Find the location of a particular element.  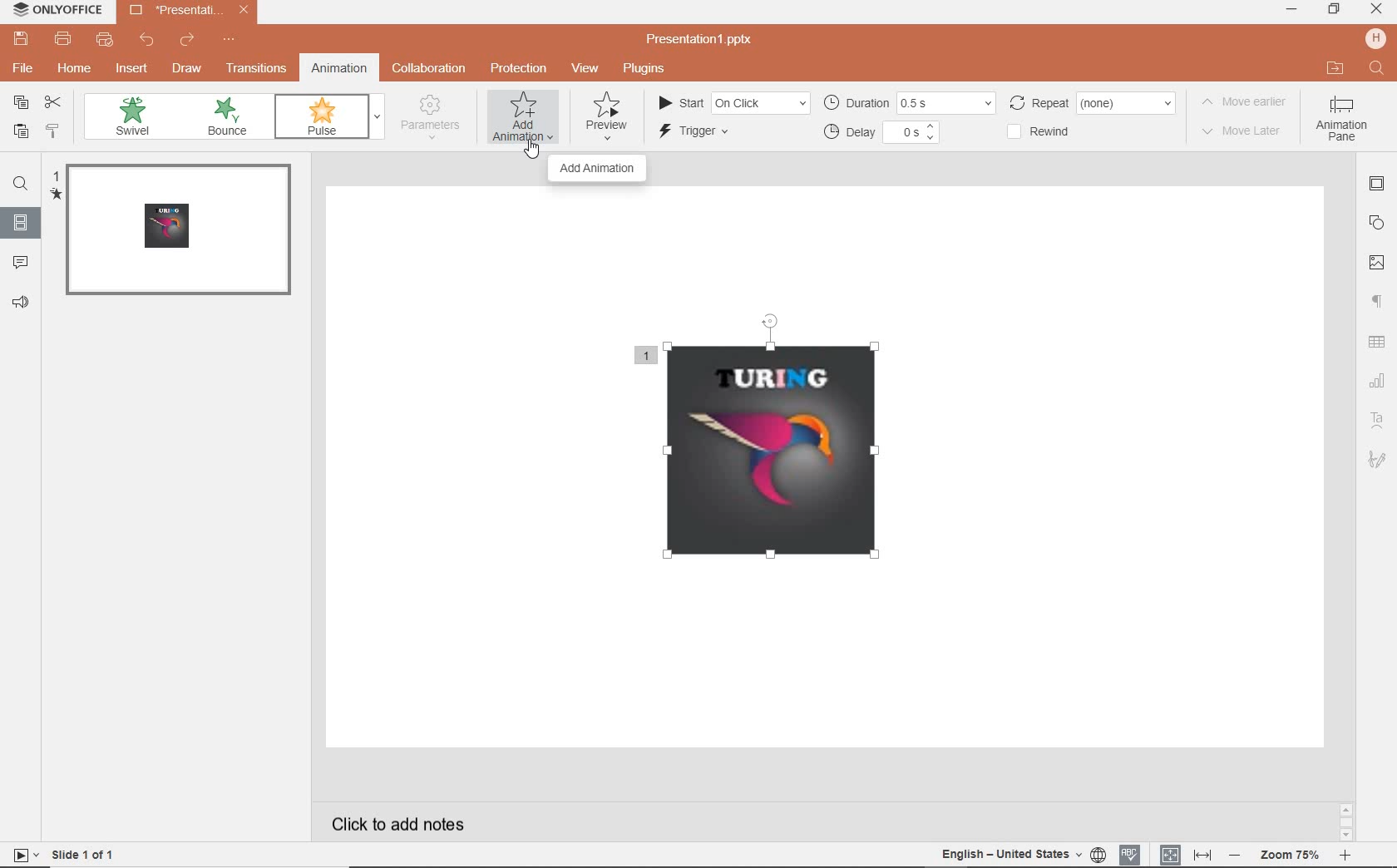

signature is located at coordinates (1377, 461).